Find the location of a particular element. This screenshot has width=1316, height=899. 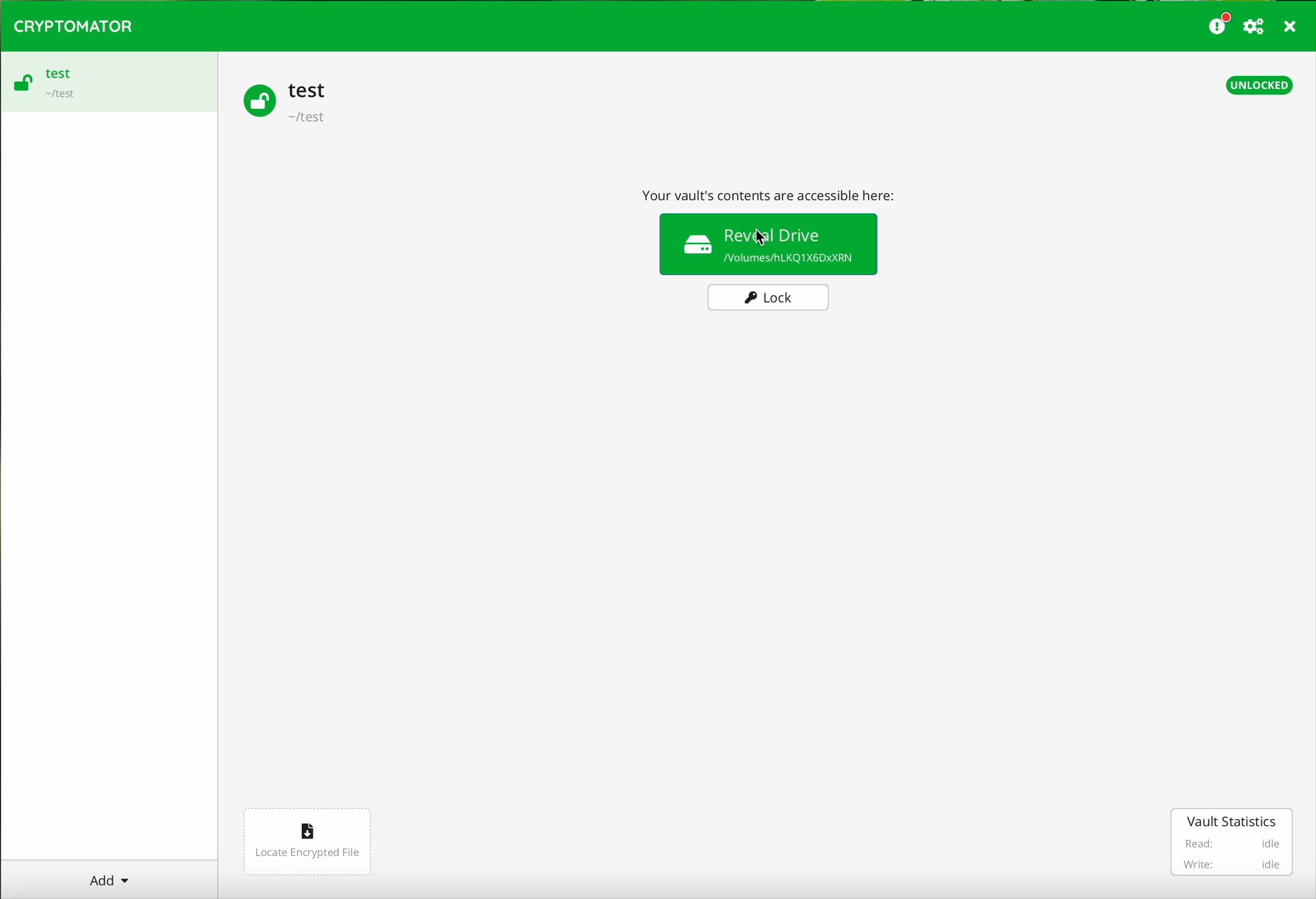

donate is located at coordinates (1220, 23).